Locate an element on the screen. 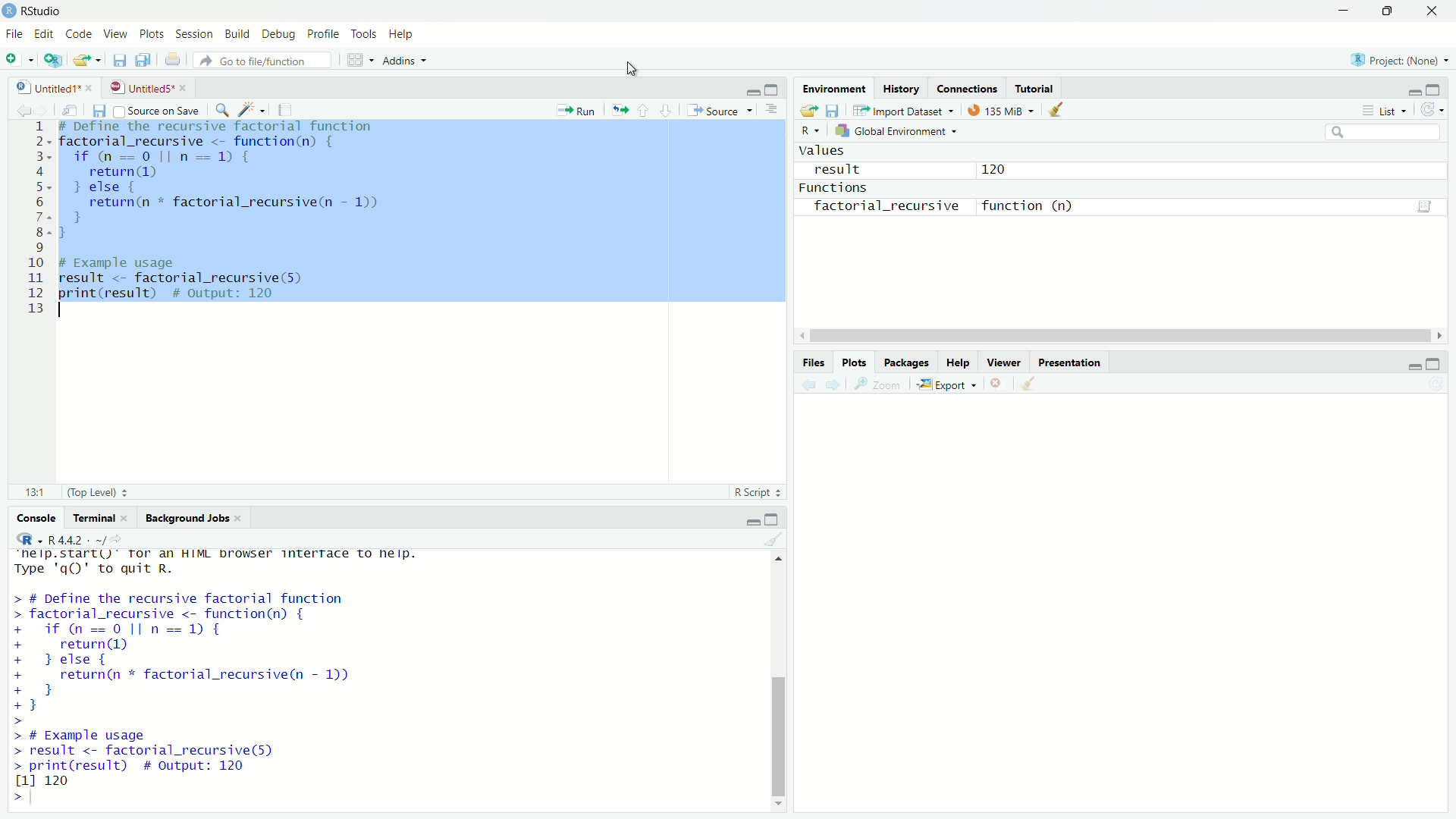  Code is located at coordinates (79, 33).